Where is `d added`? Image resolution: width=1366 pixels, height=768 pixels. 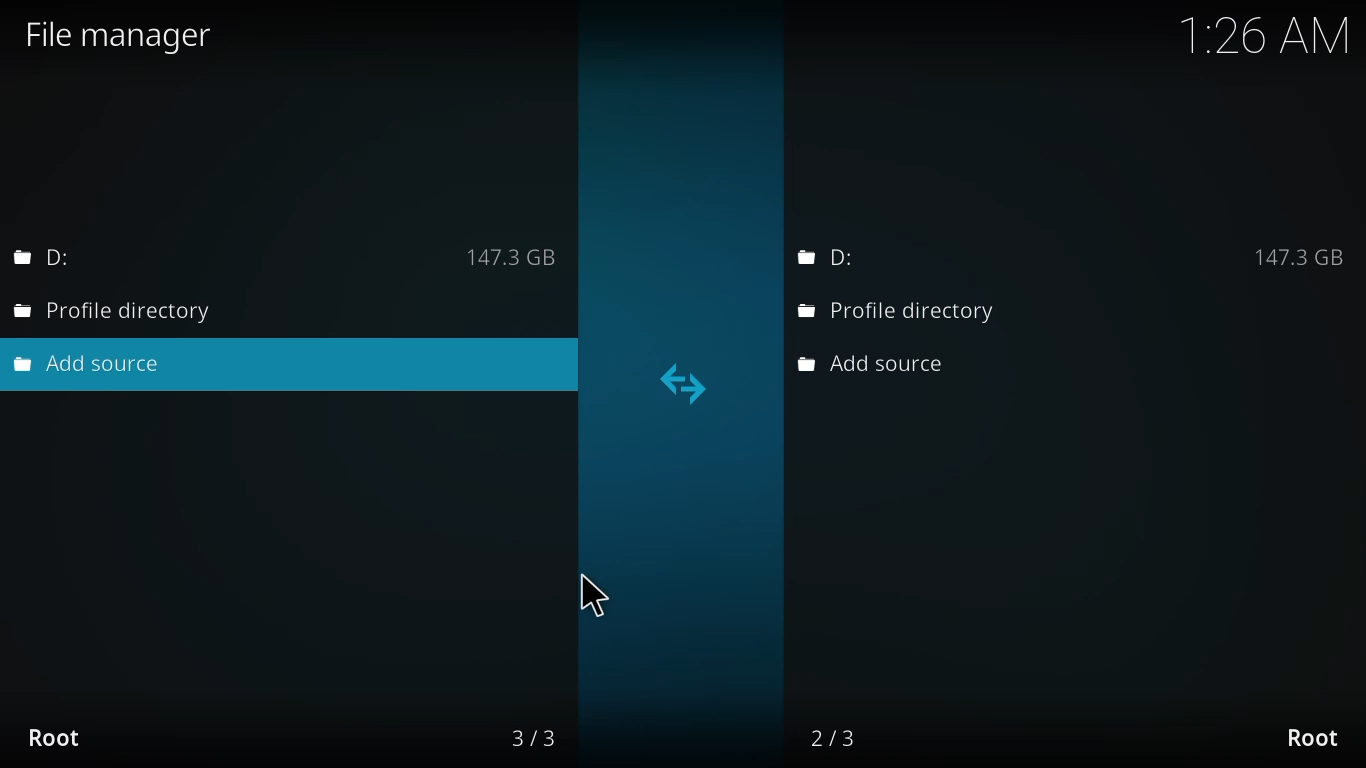
d added is located at coordinates (57, 257).